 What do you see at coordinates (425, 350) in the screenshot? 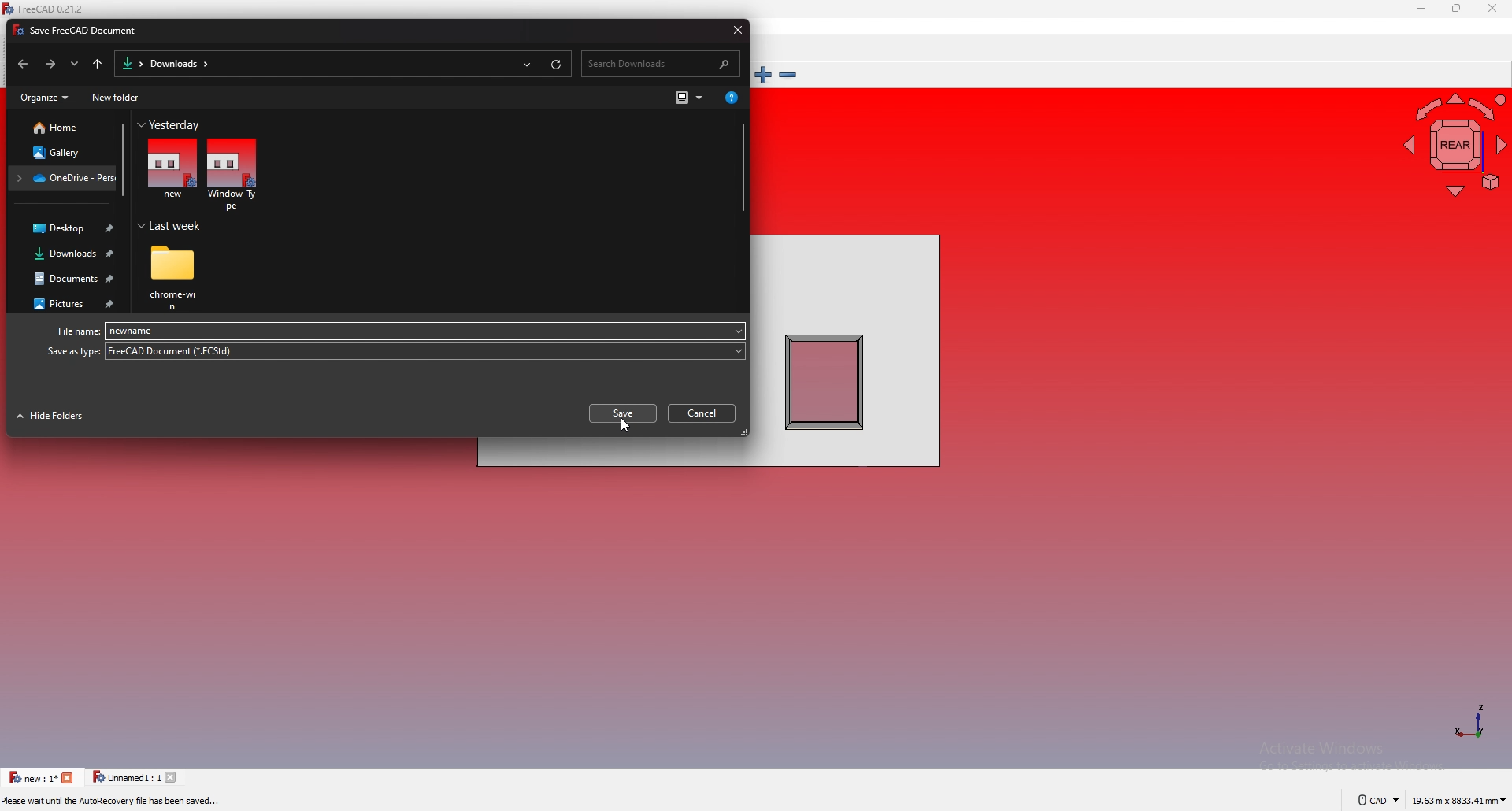
I see `file type` at bounding box center [425, 350].